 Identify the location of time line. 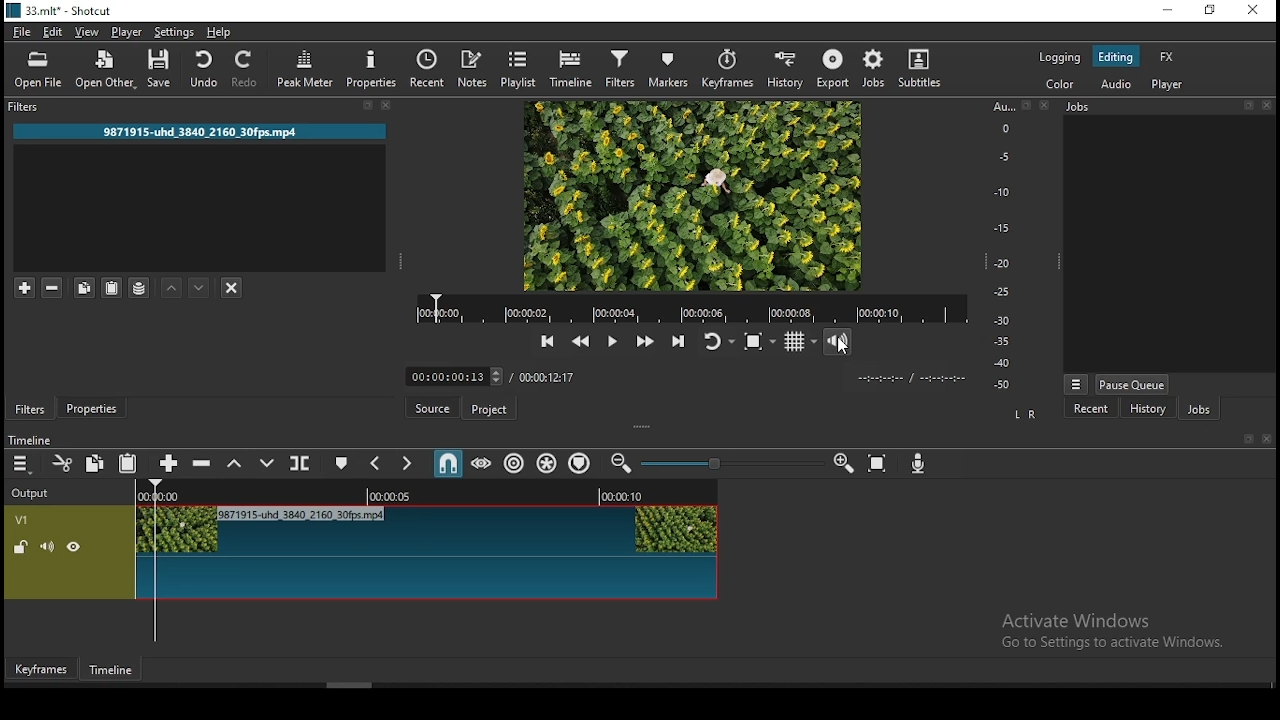
(31, 438).